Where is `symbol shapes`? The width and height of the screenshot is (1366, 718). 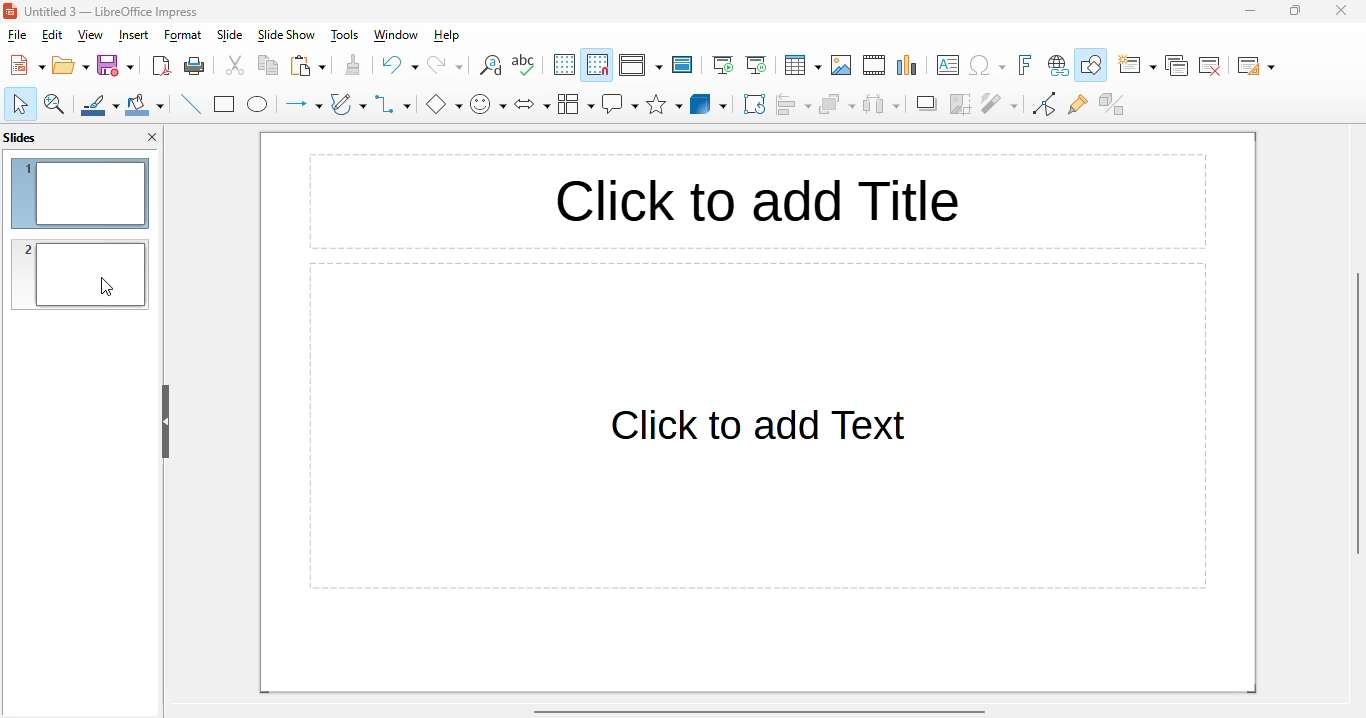
symbol shapes is located at coordinates (488, 106).